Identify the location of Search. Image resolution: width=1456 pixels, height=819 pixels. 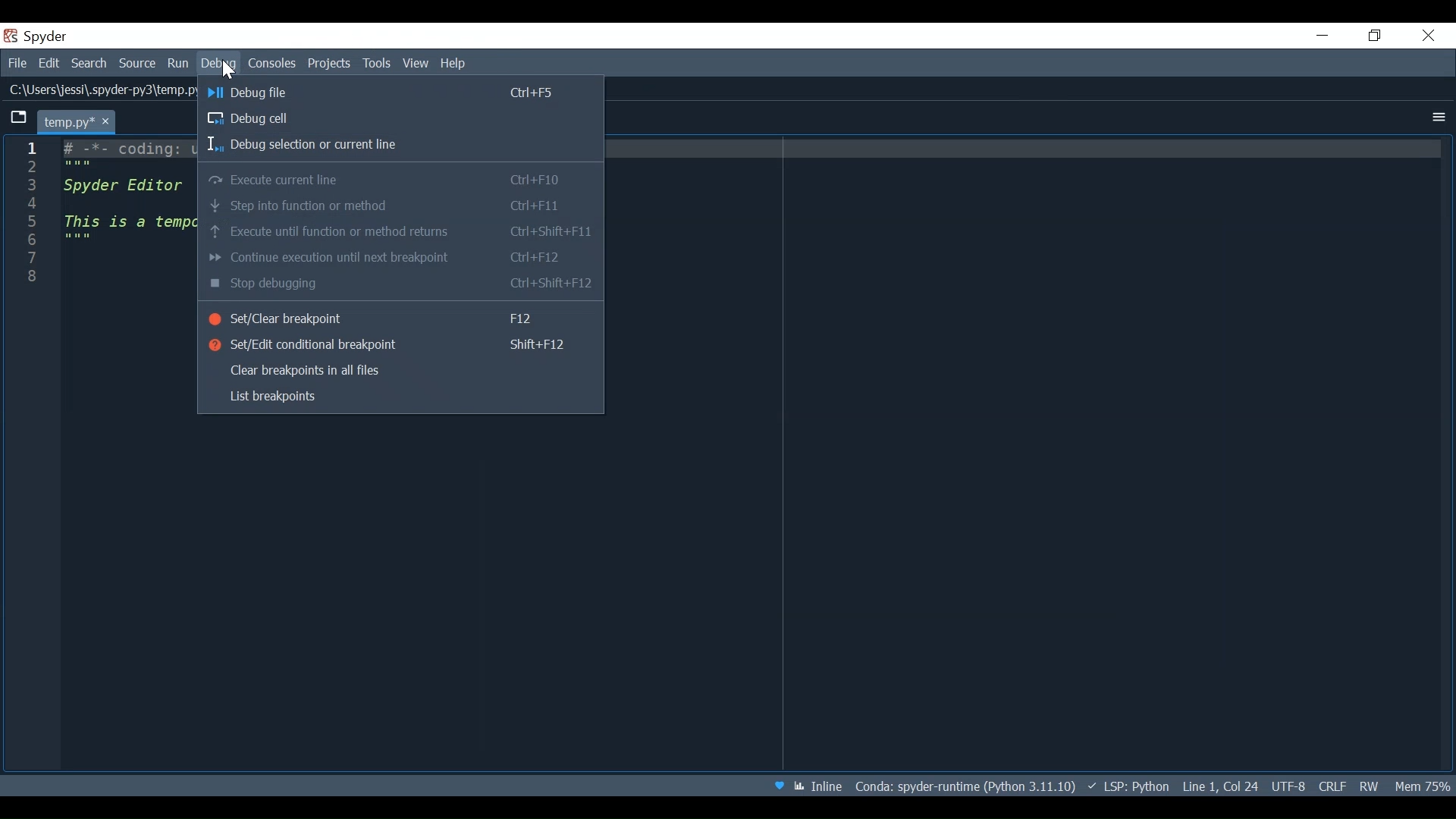
(89, 65).